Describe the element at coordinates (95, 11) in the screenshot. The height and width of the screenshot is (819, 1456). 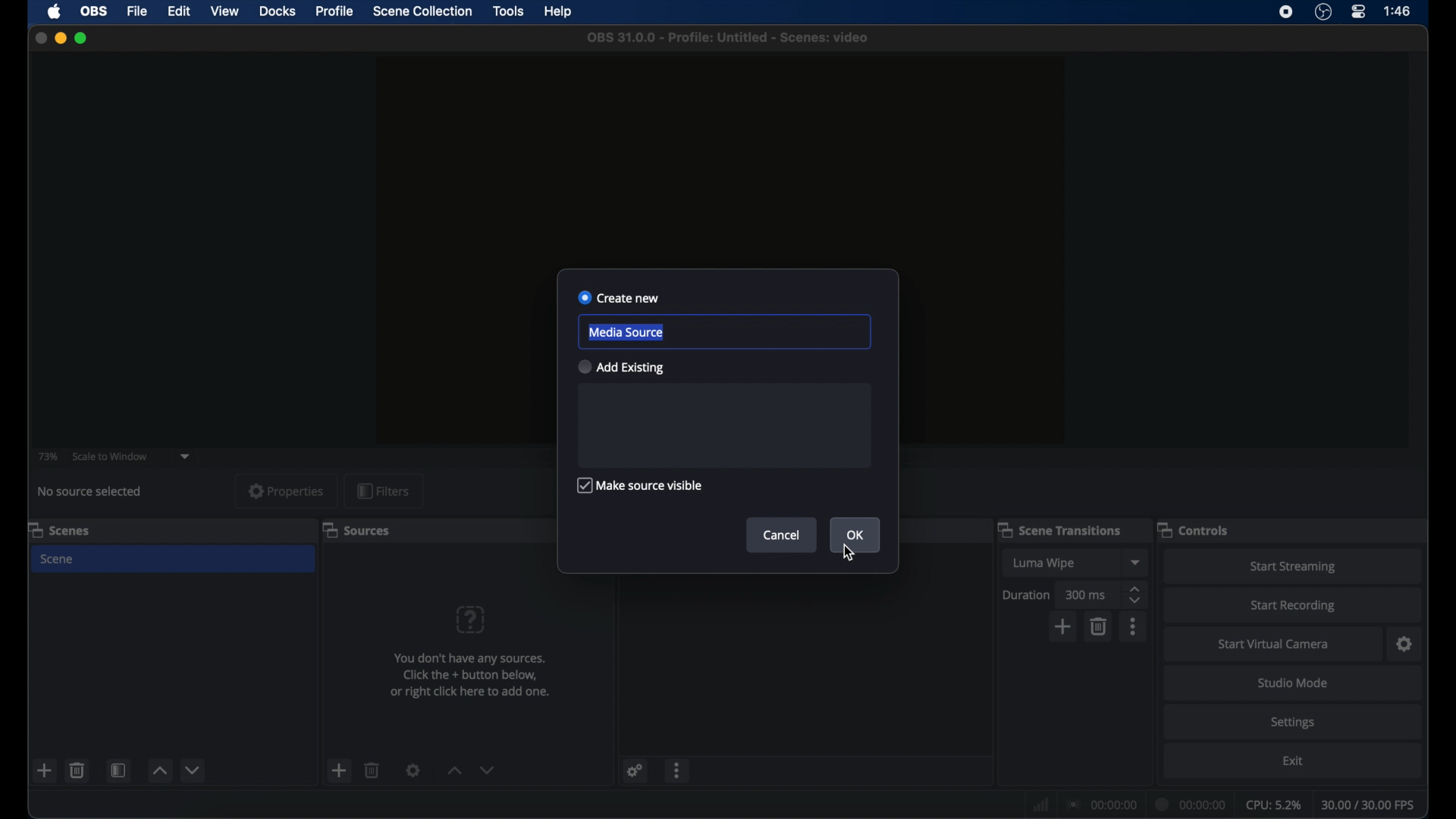
I see `obs` at that location.